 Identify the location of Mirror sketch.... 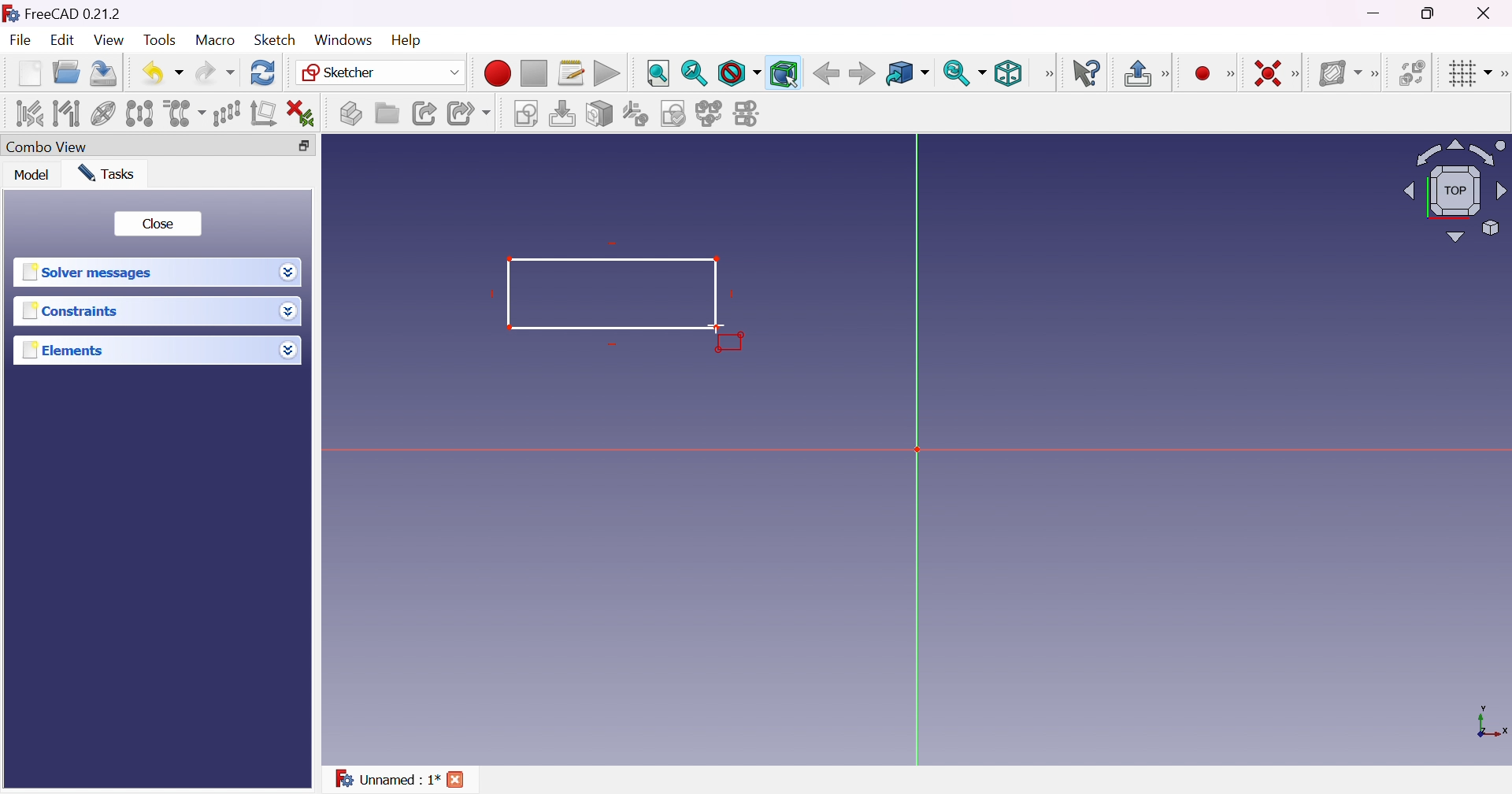
(748, 113).